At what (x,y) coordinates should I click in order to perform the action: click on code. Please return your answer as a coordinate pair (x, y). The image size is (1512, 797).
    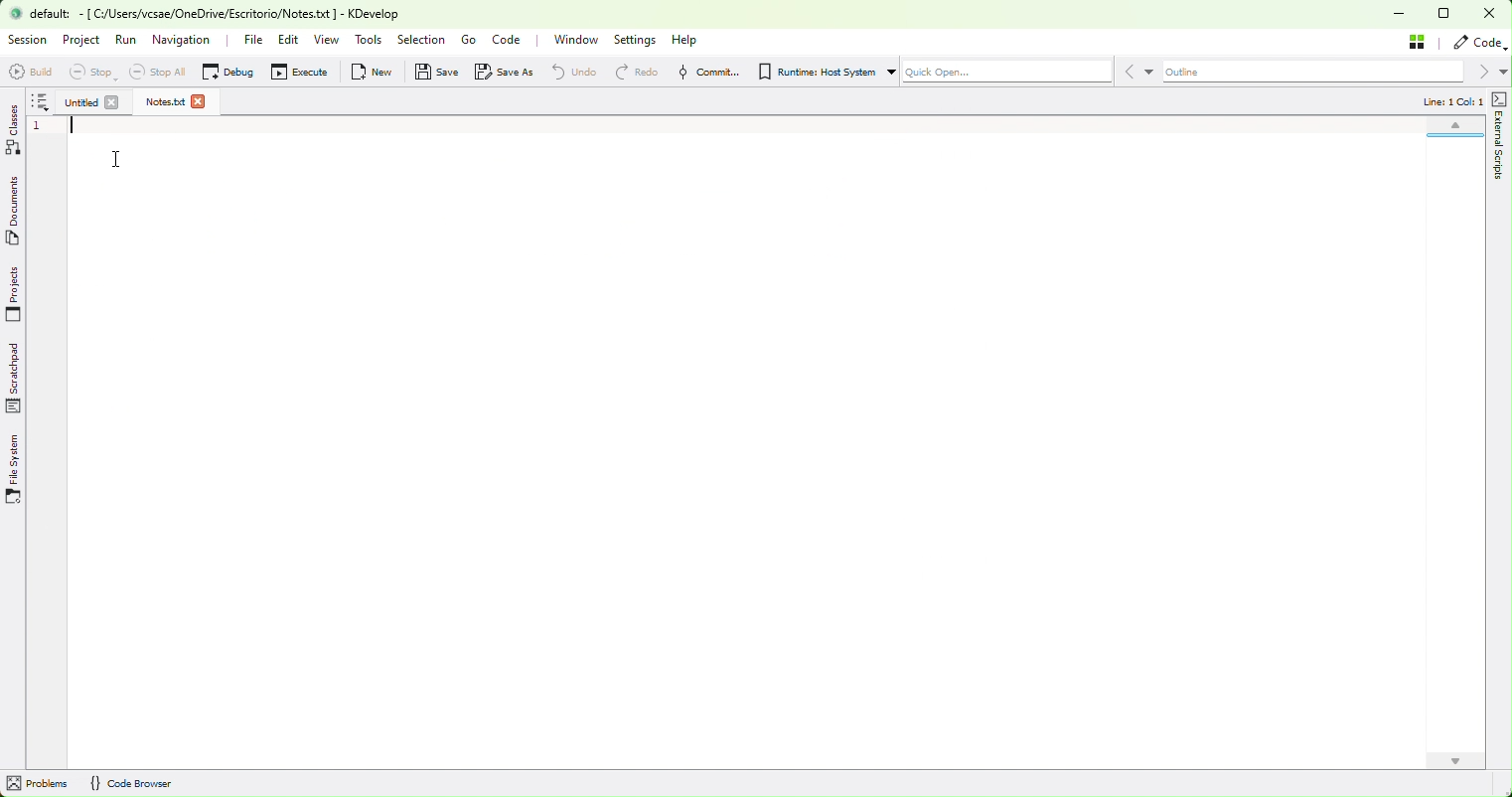
    Looking at the image, I should click on (1477, 43).